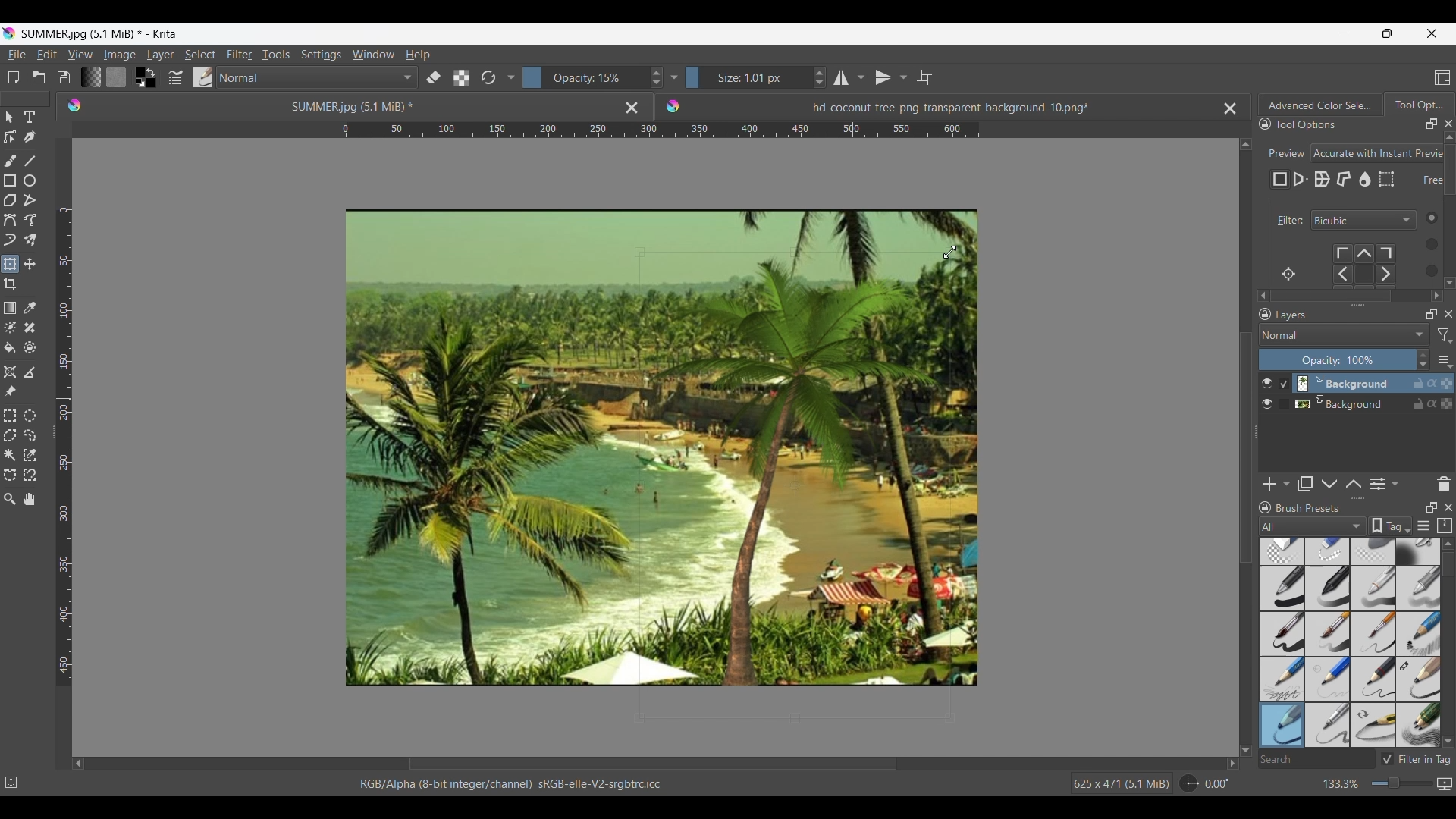  Describe the element at coordinates (1341, 383) in the screenshot. I see `Selected layer` at that location.